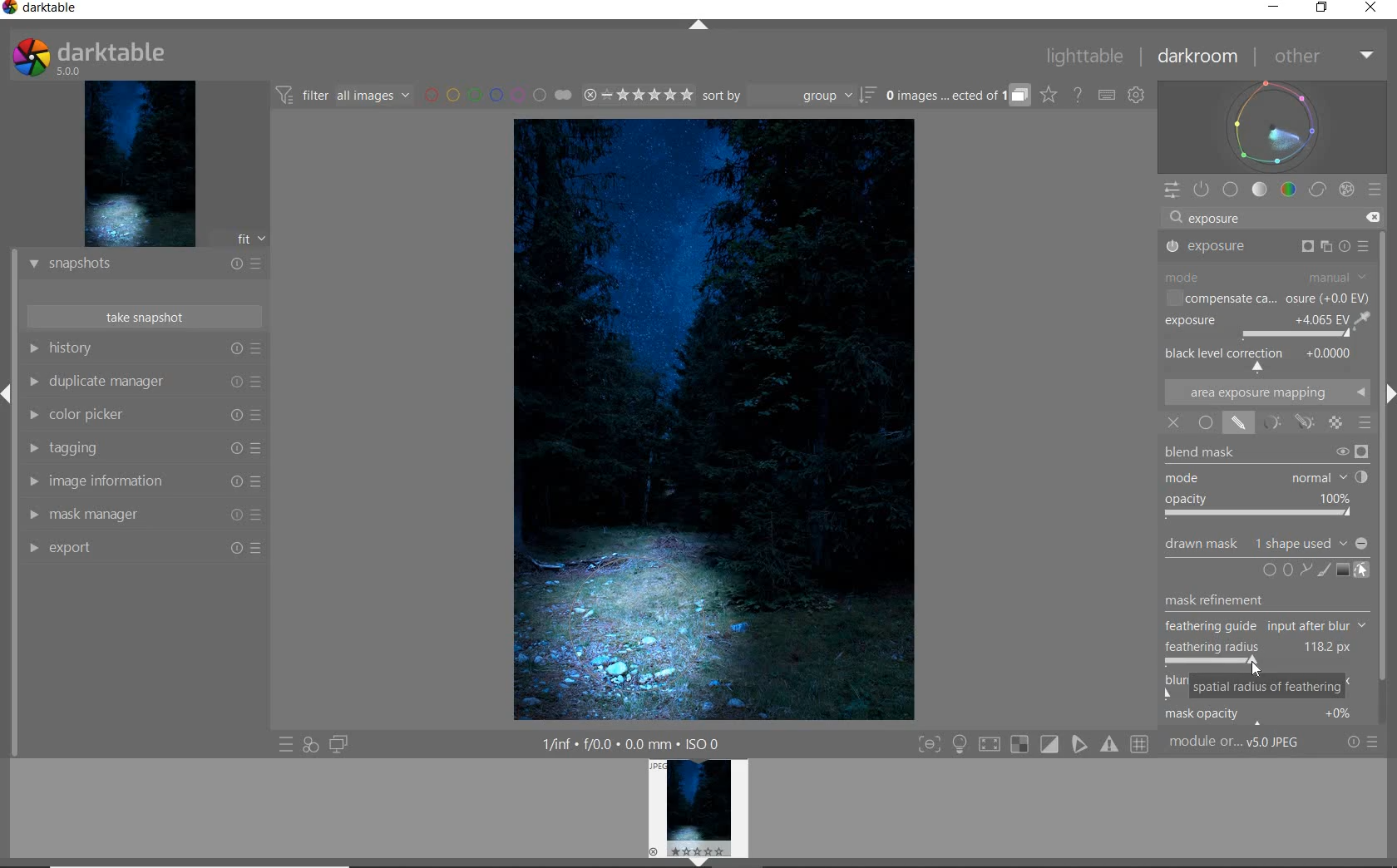  Describe the element at coordinates (1321, 57) in the screenshot. I see `OTHER` at that location.